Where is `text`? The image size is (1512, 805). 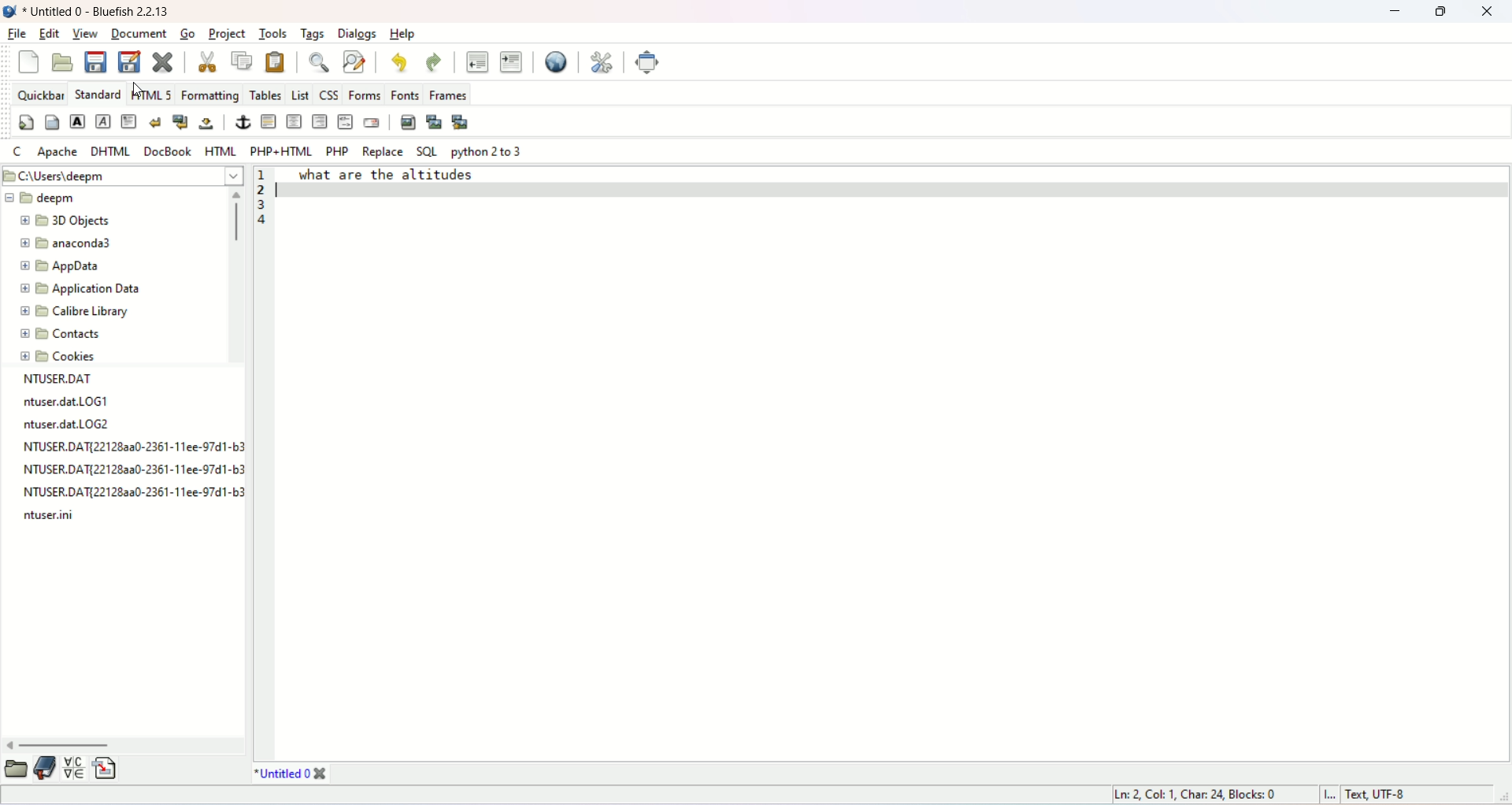 text is located at coordinates (130, 448).